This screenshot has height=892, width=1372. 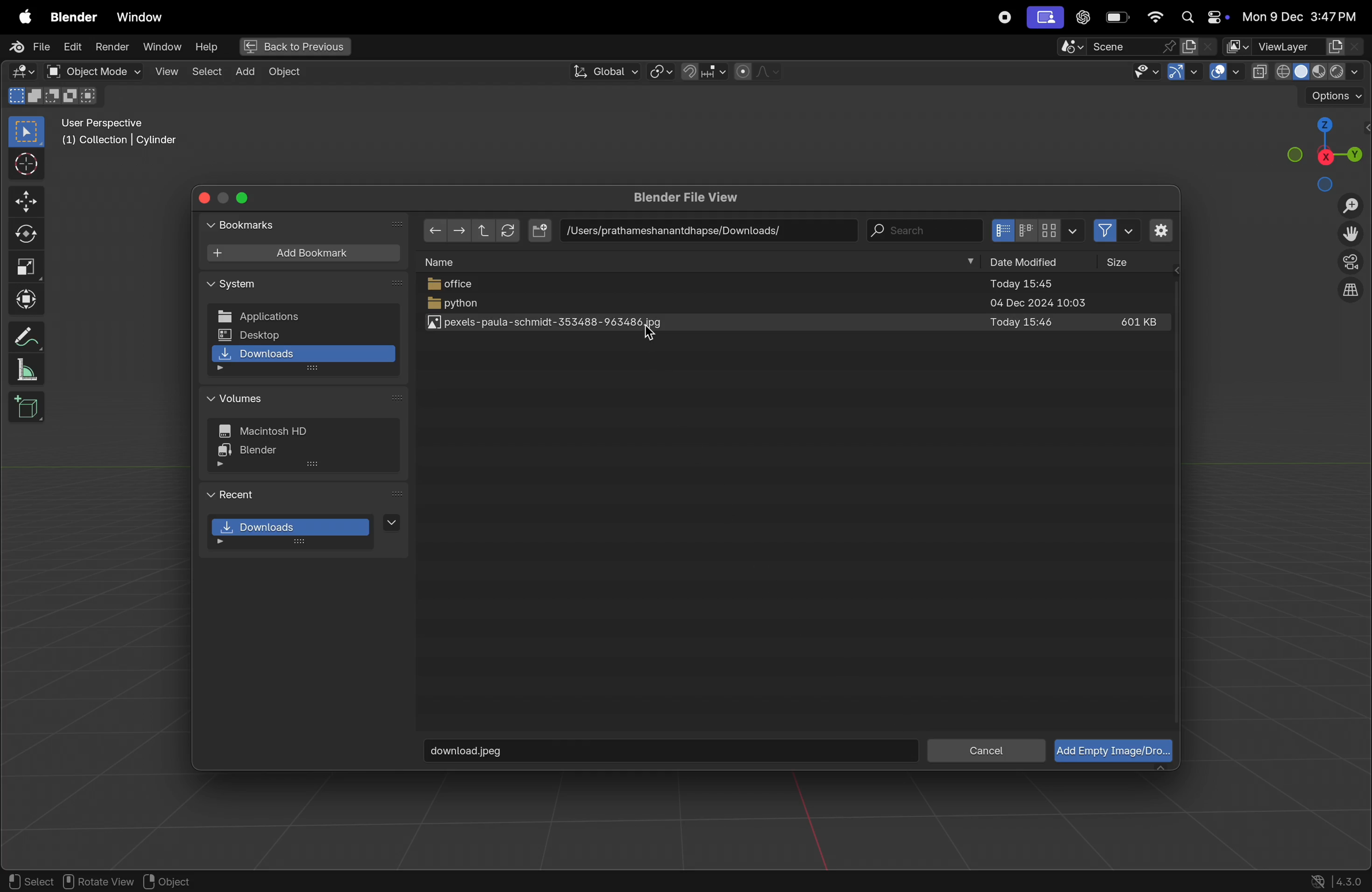 What do you see at coordinates (480, 229) in the screenshot?
I see `upward` at bounding box center [480, 229].